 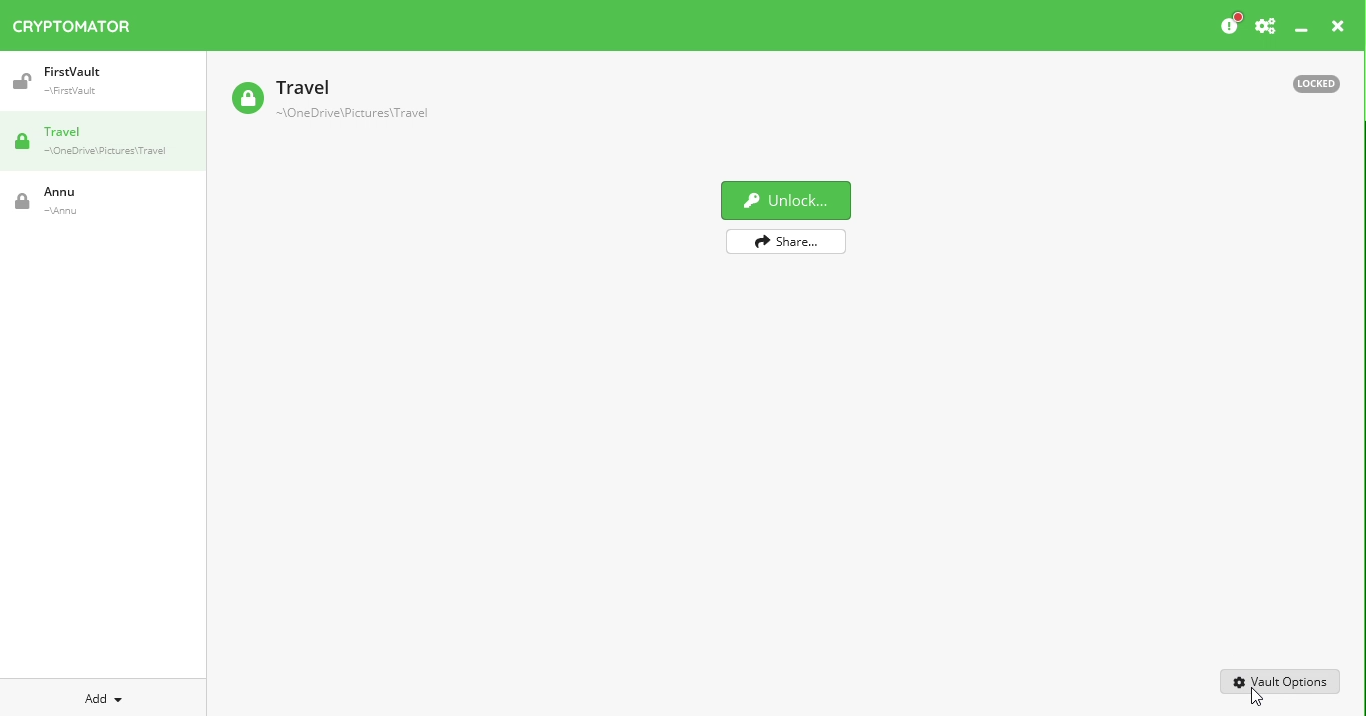 What do you see at coordinates (1281, 680) in the screenshot?
I see `Vault options` at bounding box center [1281, 680].